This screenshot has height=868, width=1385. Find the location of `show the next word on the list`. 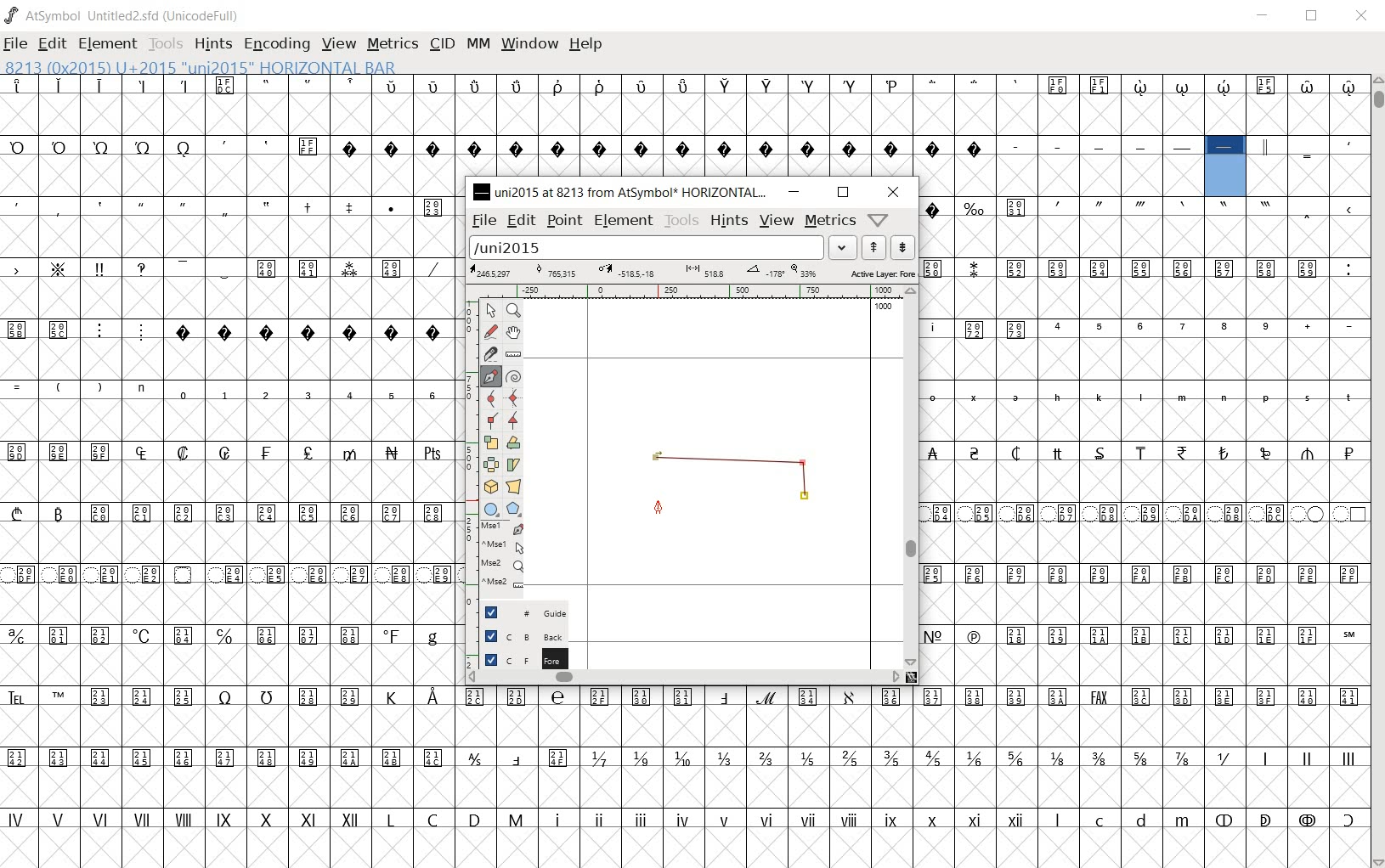

show the next word on the list is located at coordinates (873, 247).